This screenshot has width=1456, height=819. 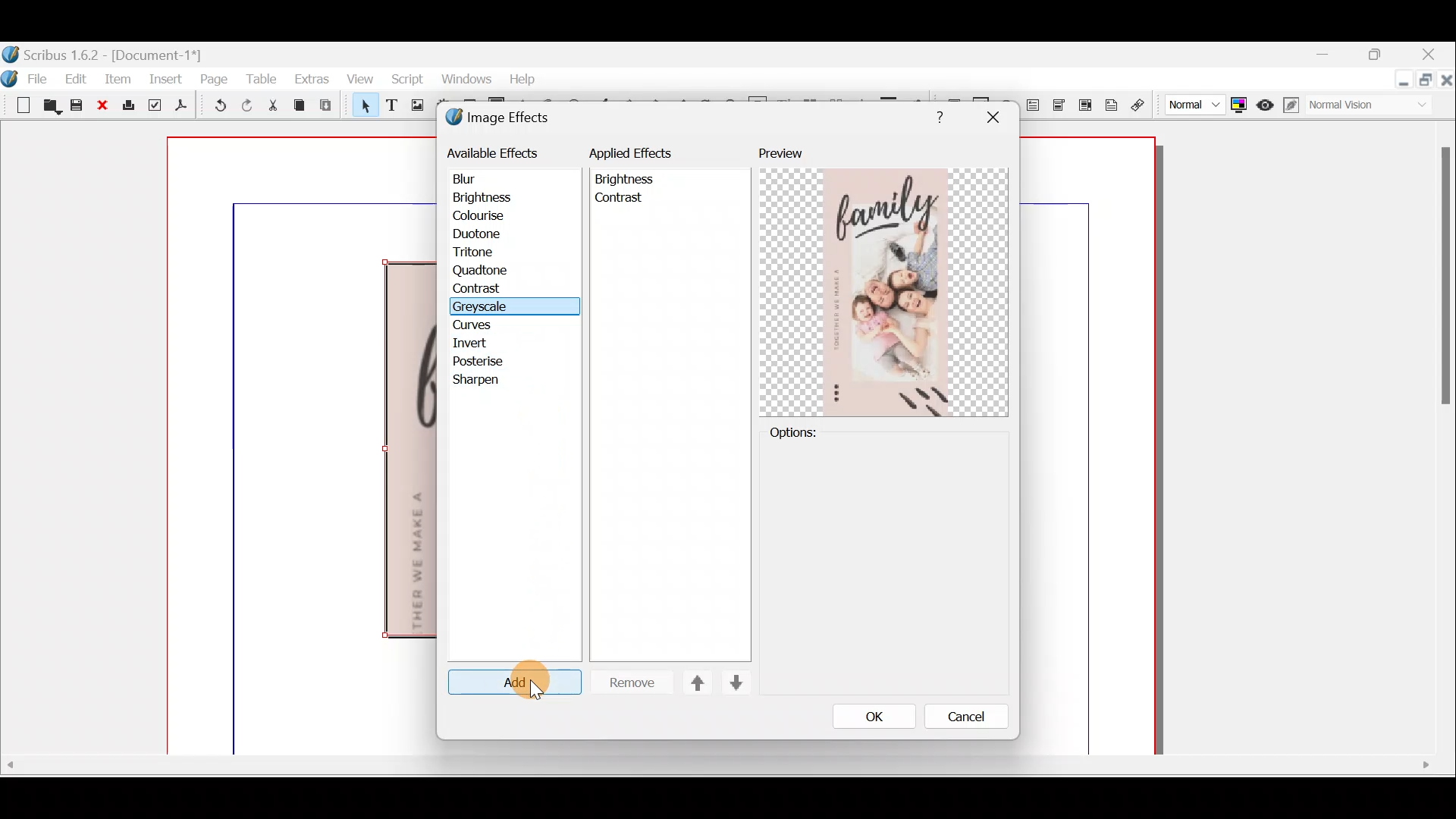 What do you see at coordinates (789, 149) in the screenshot?
I see `Preview` at bounding box center [789, 149].